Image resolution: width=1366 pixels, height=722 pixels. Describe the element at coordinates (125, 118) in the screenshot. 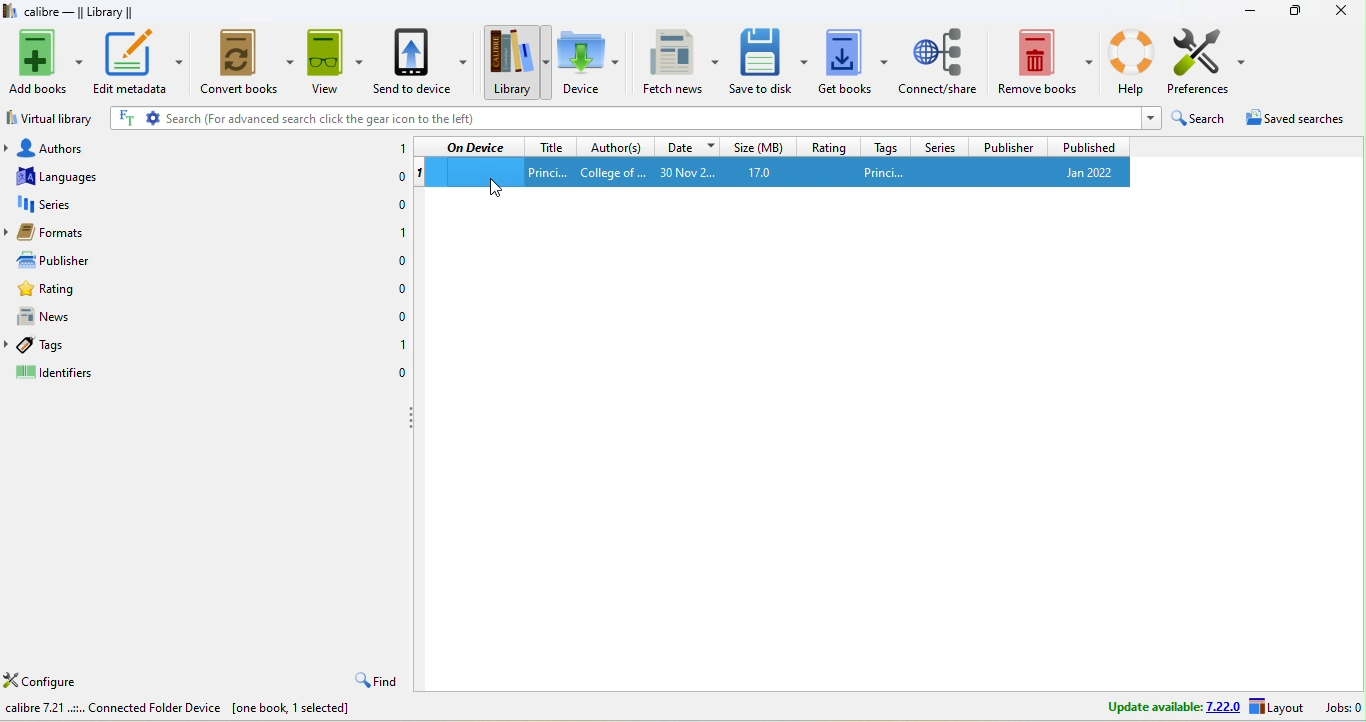

I see `FT` at that location.